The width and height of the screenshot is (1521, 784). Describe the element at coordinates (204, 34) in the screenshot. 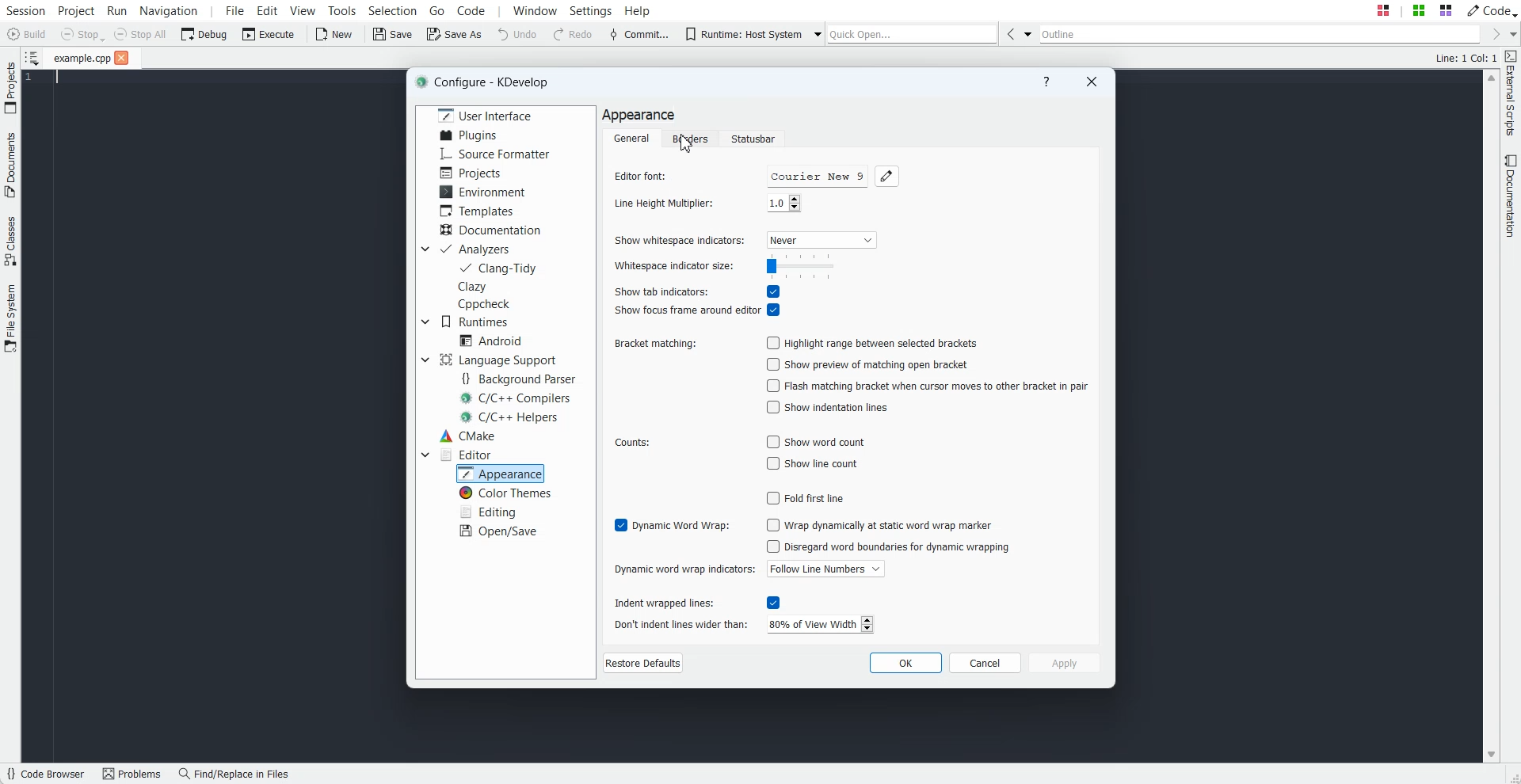

I see `Debug` at that location.